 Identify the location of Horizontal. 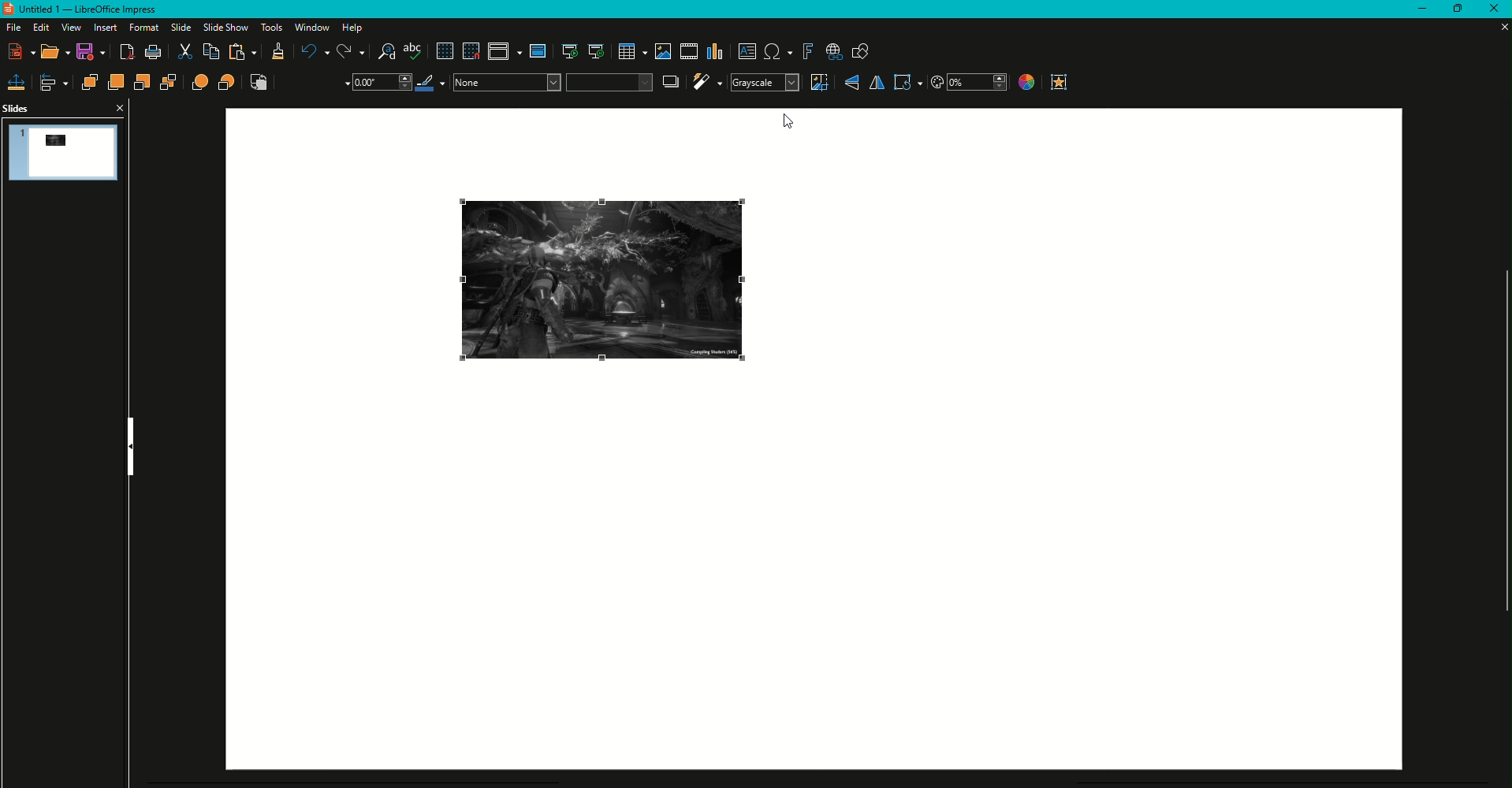
(876, 83).